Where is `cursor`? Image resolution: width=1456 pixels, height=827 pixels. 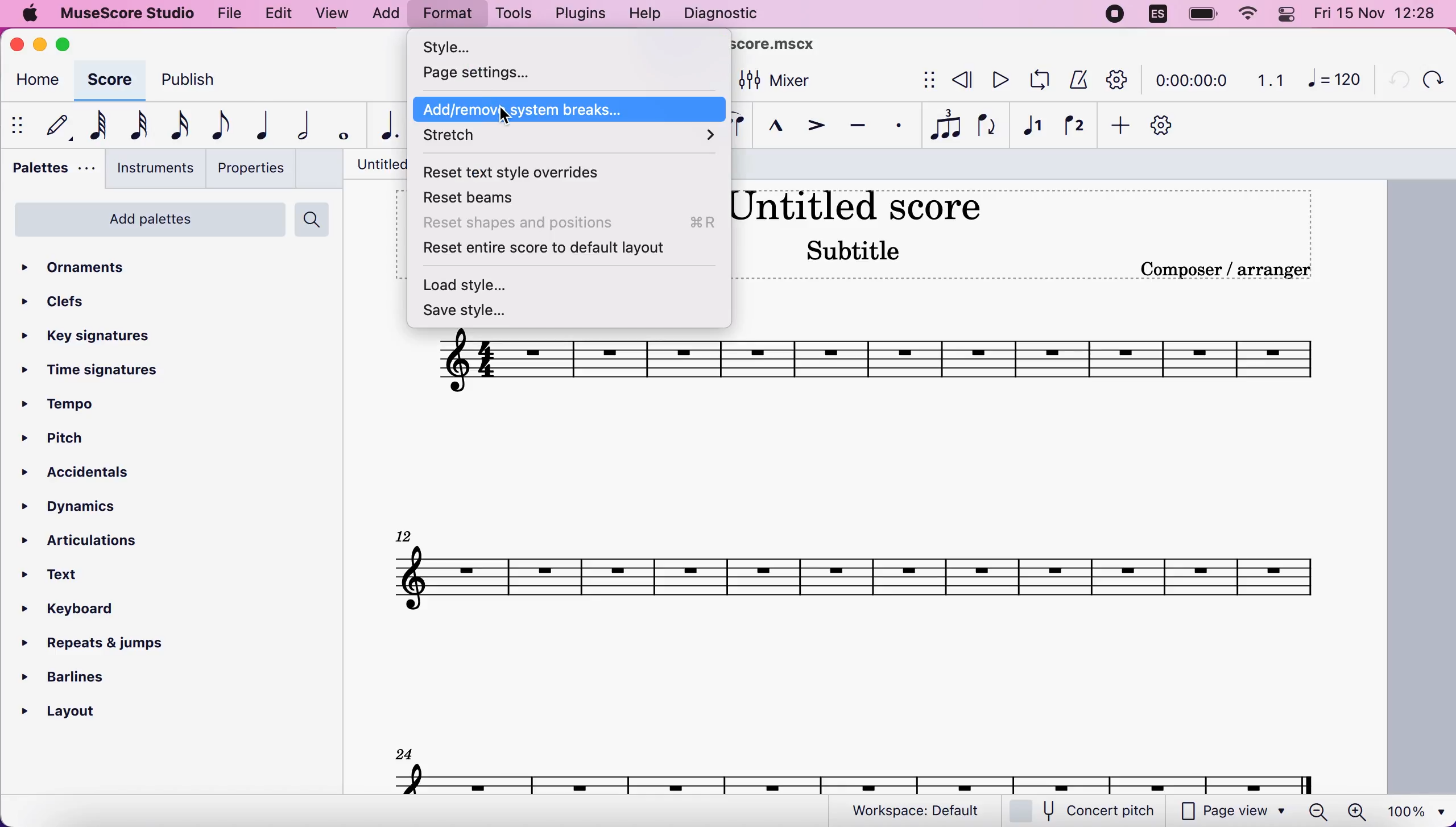
cursor is located at coordinates (507, 116).